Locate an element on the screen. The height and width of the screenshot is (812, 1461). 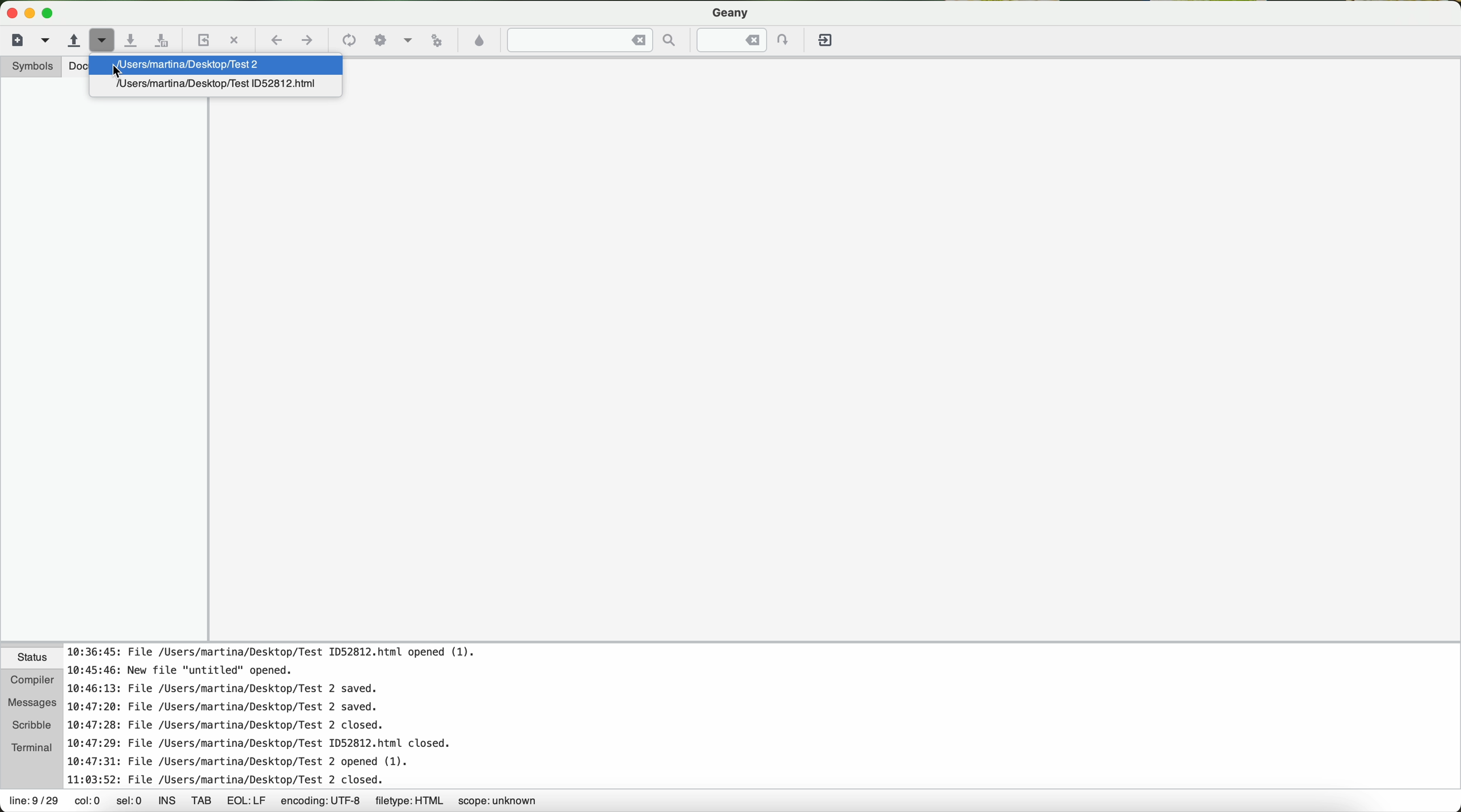
run or view the current file is located at coordinates (434, 40).